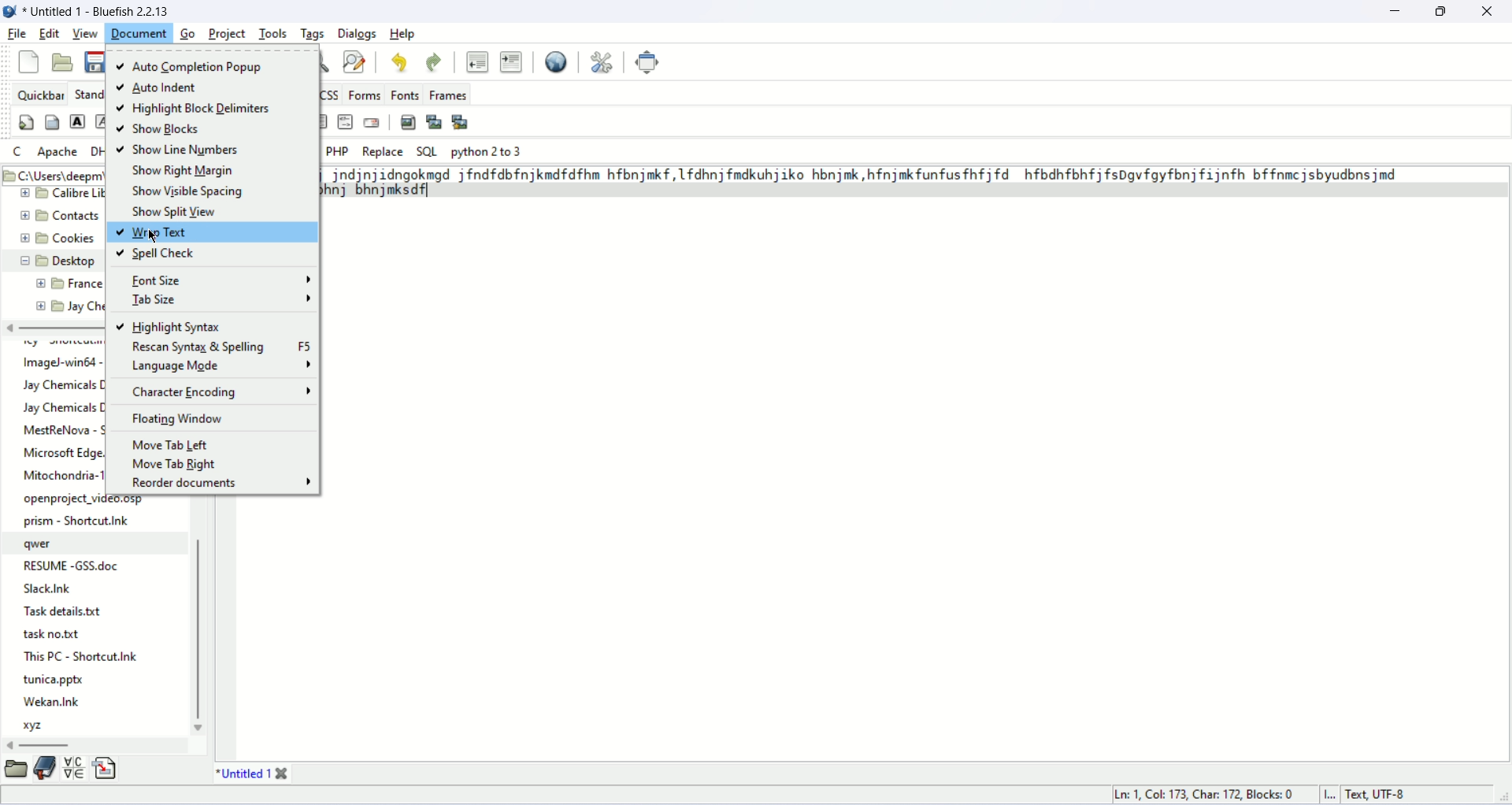  I want to click on move tab right, so click(175, 465).